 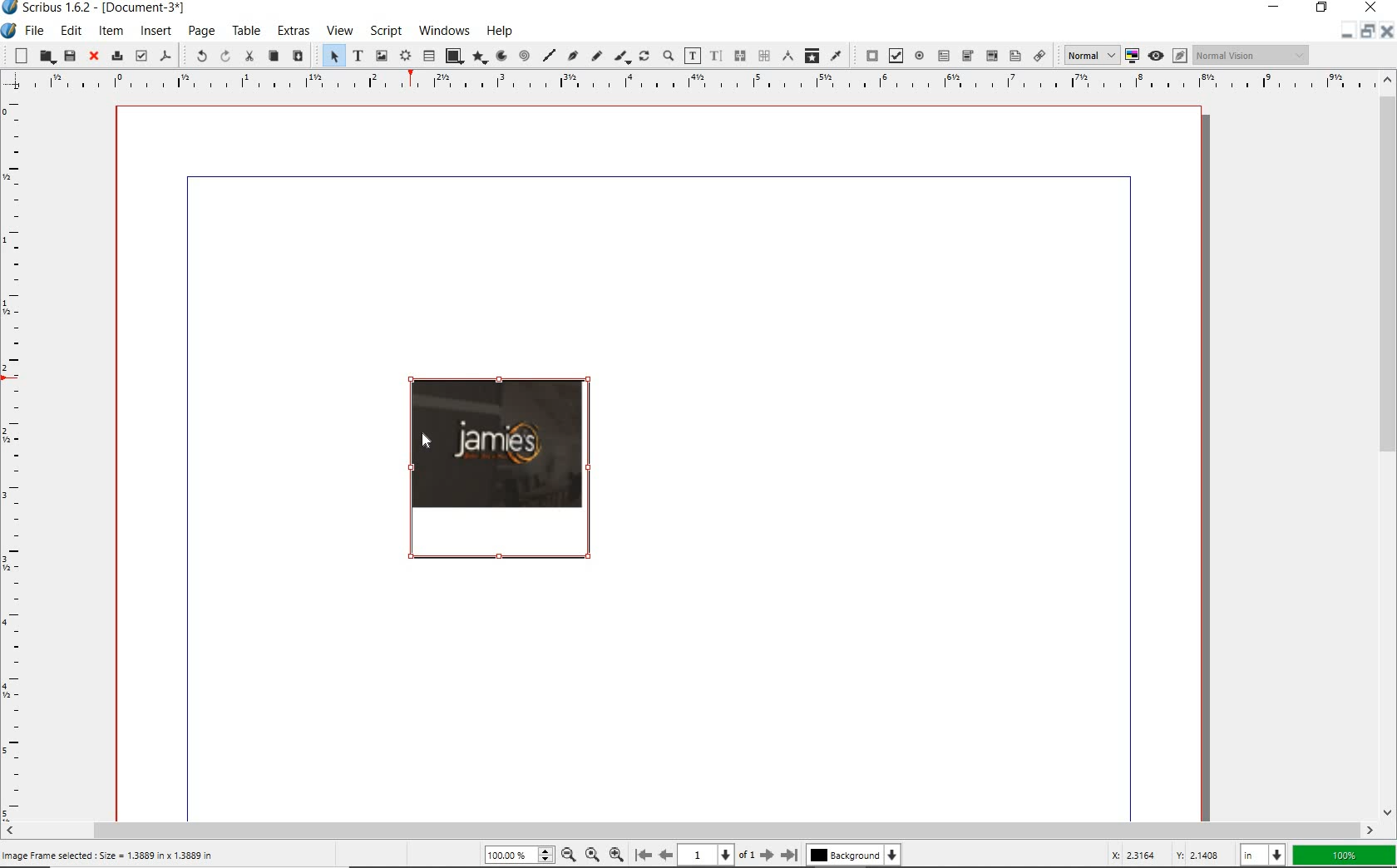 I want to click on copy item properties, so click(x=811, y=57).